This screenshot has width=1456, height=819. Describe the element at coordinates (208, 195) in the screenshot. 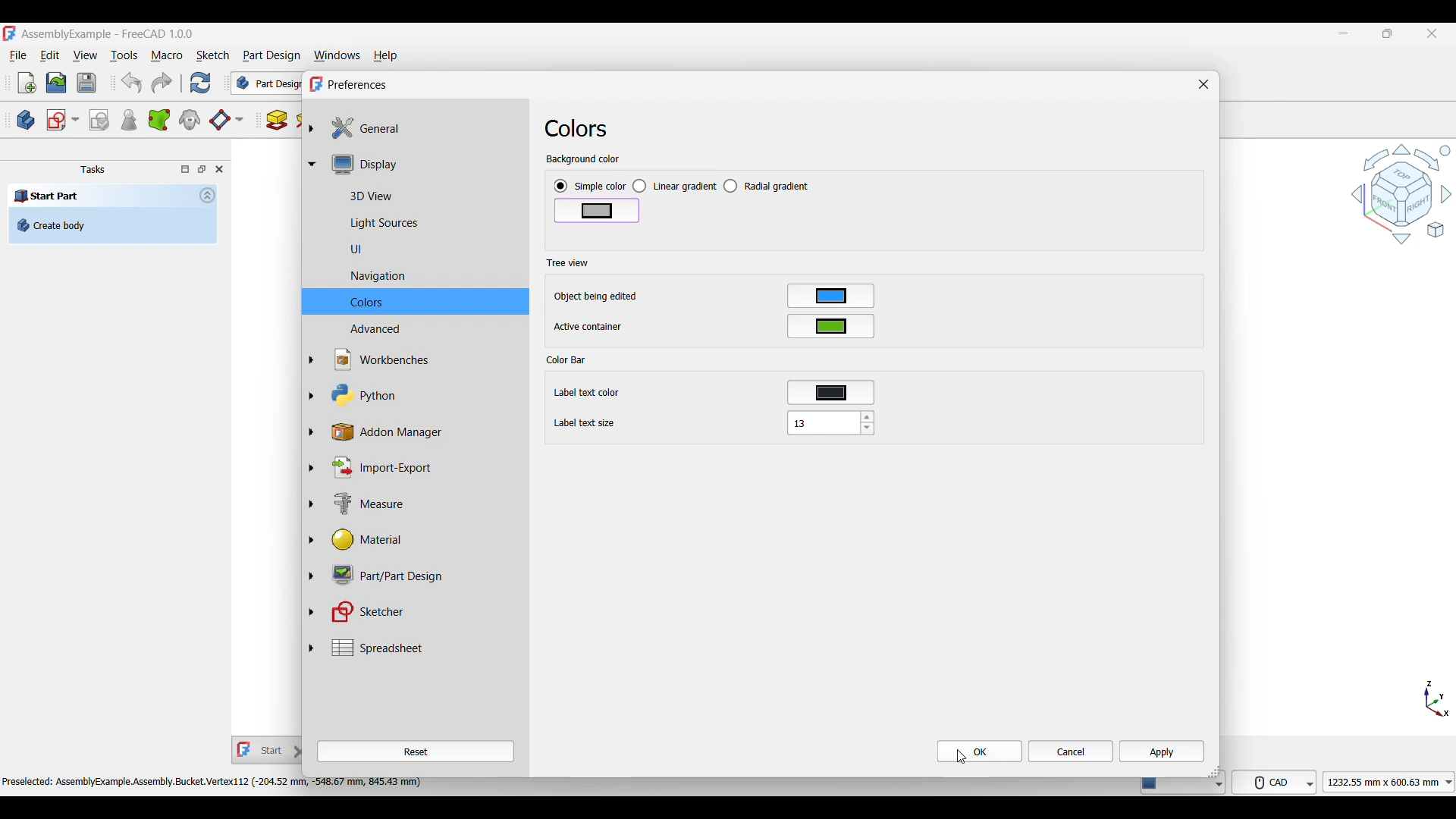

I see `Collapse` at that location.